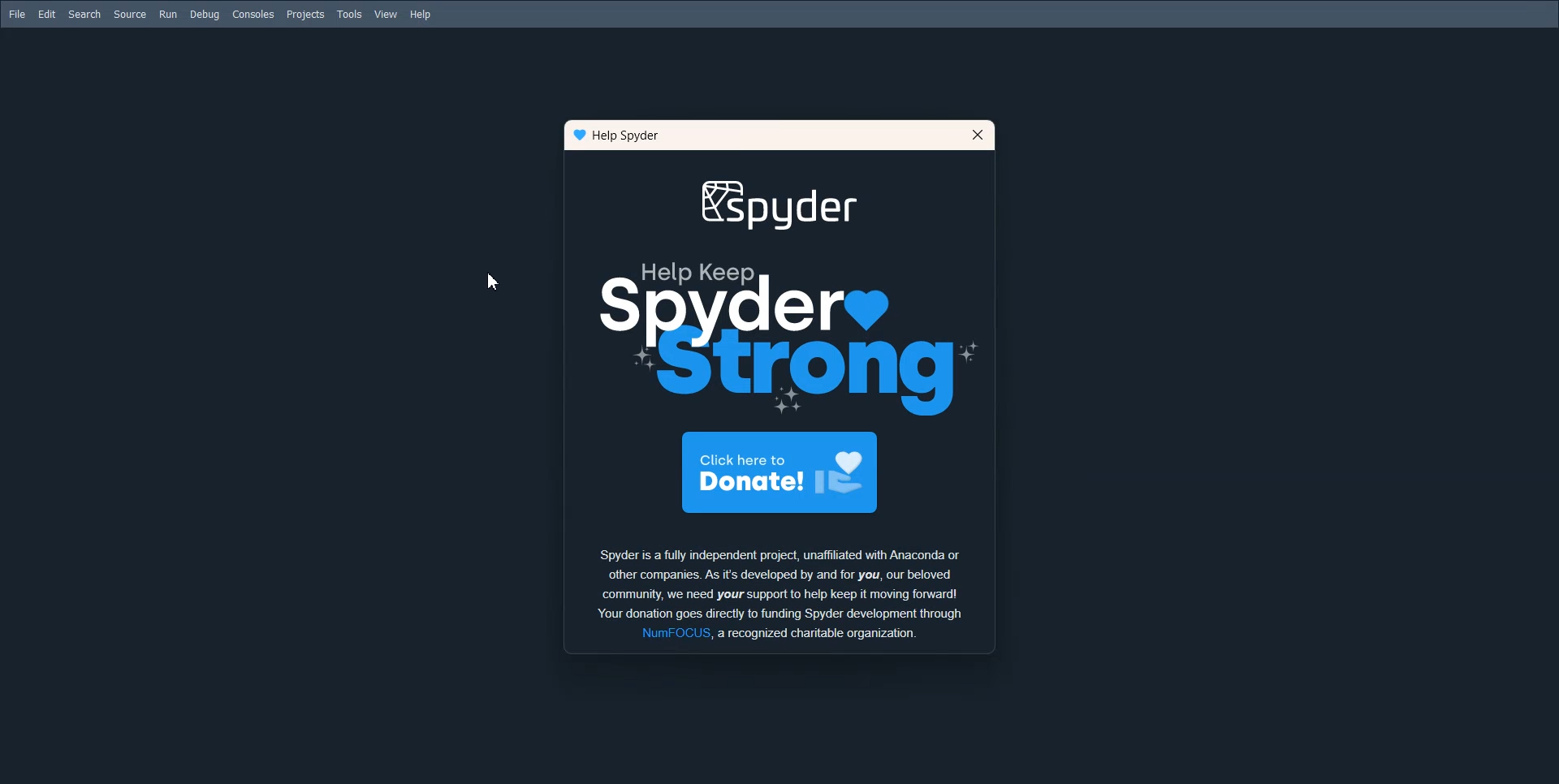 The height and width of the screenshot is (784, 1559). Describe the element at coordinates (253, 14) in the screenshot. I see `Consoles` at that location.